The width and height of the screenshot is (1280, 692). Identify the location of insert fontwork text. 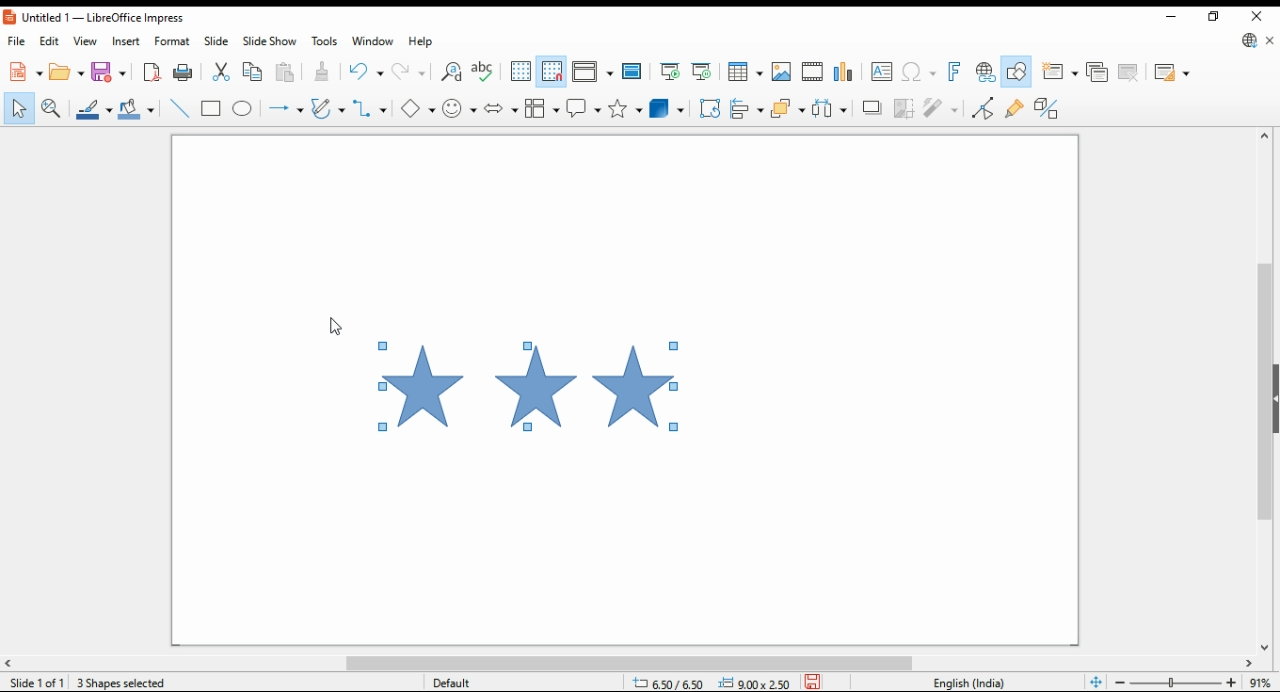
(953, 71).